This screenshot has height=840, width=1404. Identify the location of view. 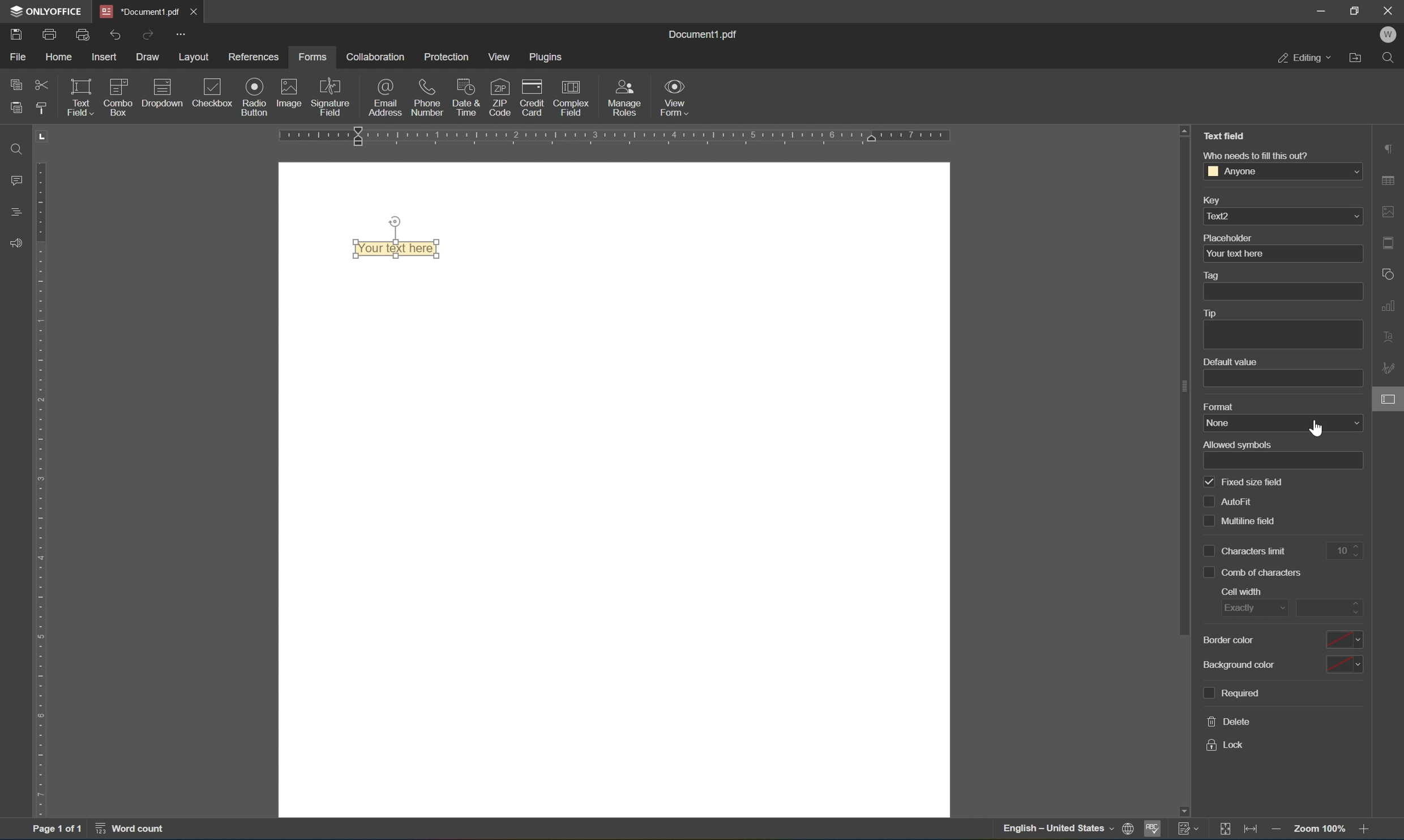
(499, 55).